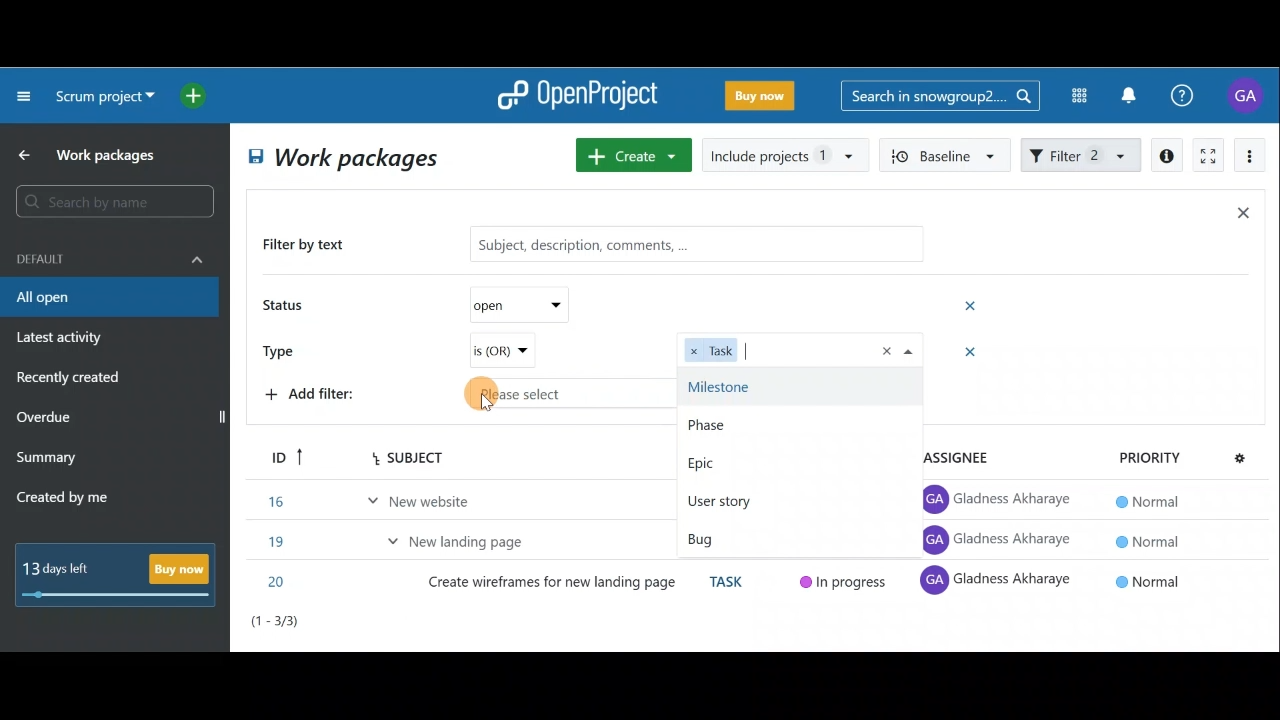  I want to click on Epic, so click(788, 500).